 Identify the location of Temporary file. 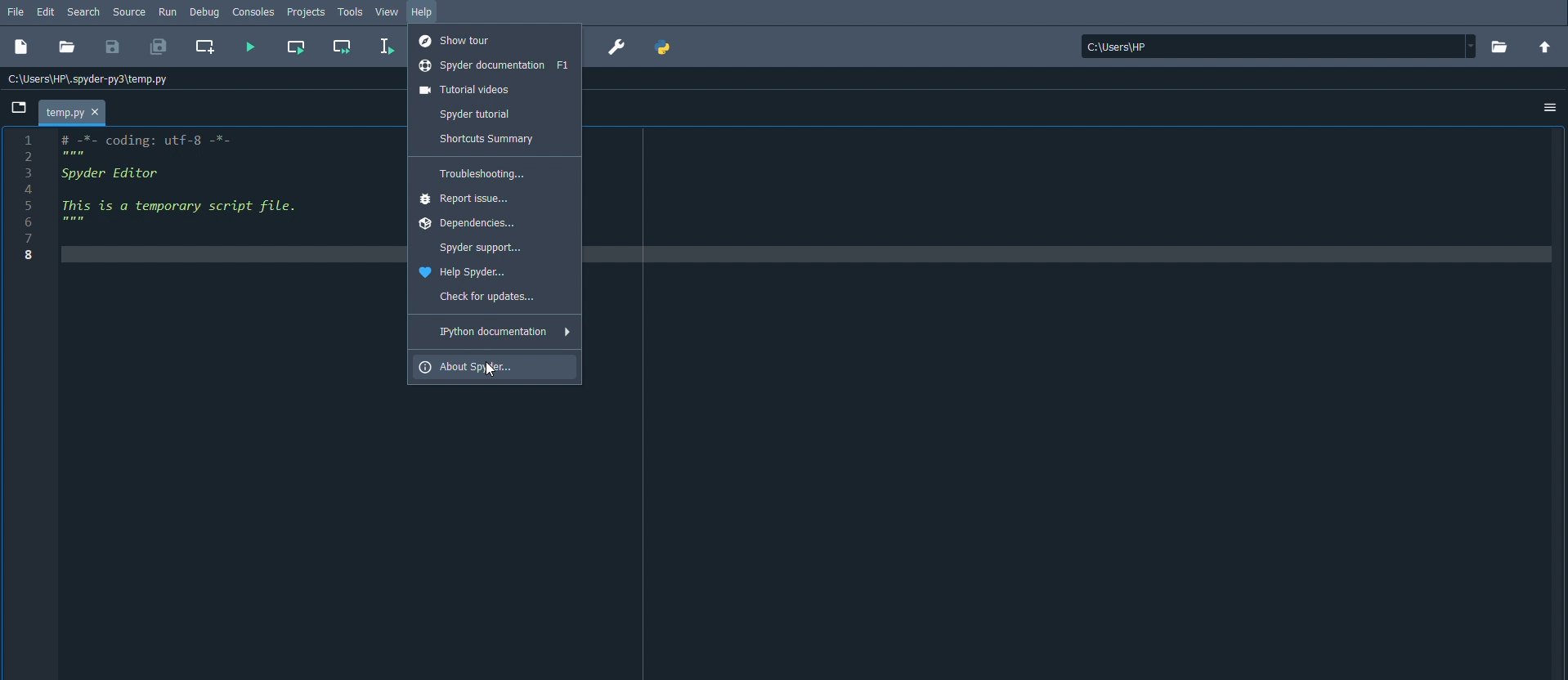
(73, 112).